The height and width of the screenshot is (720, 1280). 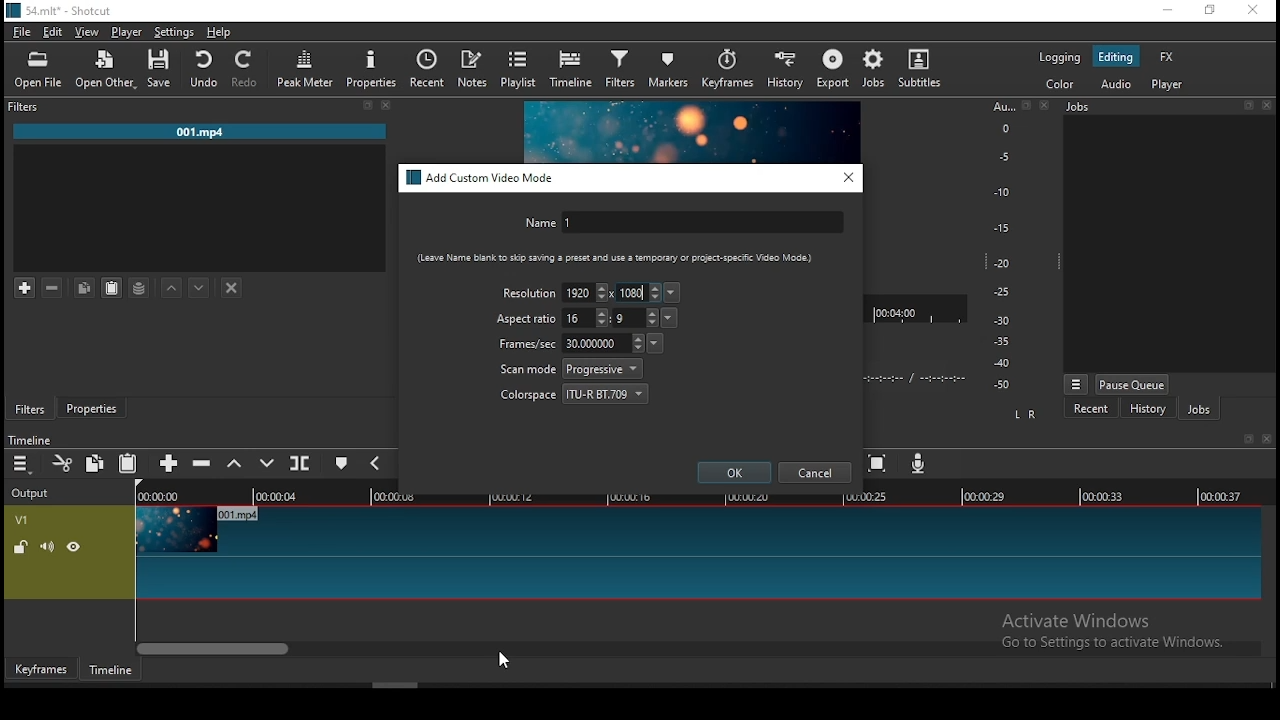 What do you see at coordinates (1003, 228) in the screenshot?
I see `-15` at bounding box center [1003, 228].